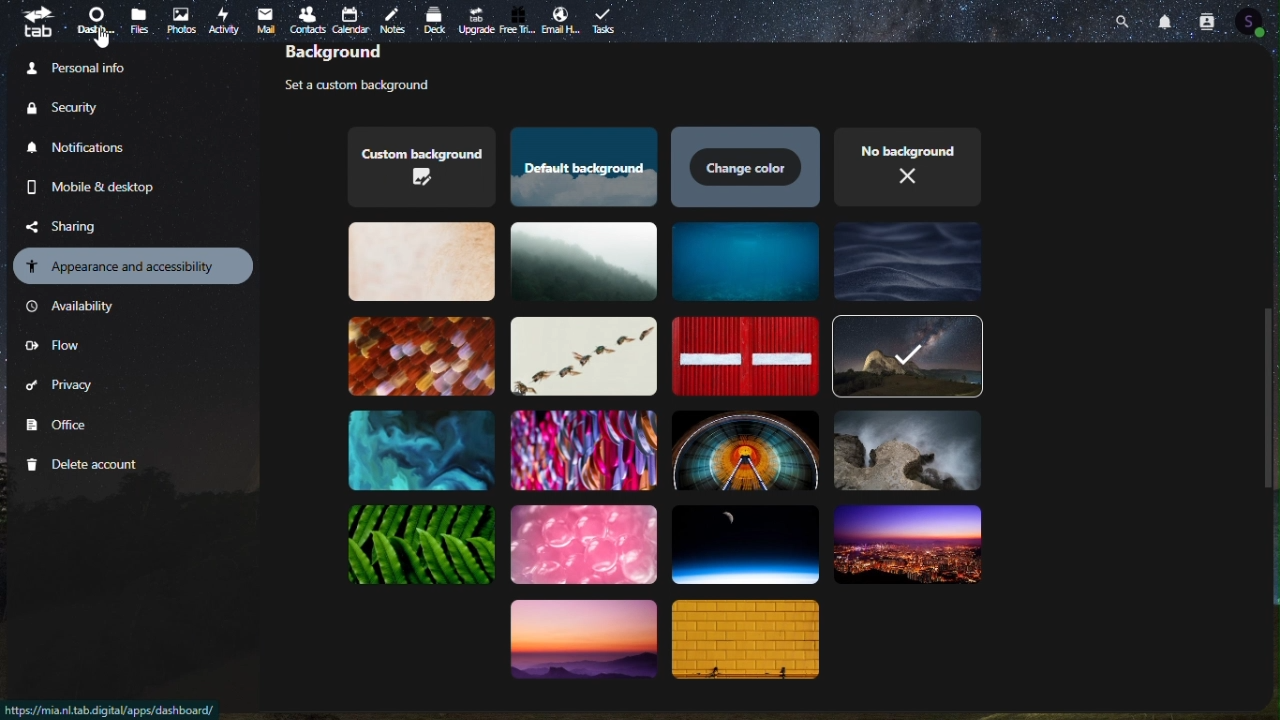 This screenshot has height=720, width=1280. Describe the element at coordinates (747, 167) in the screenshot. I see `Themes` at that location.